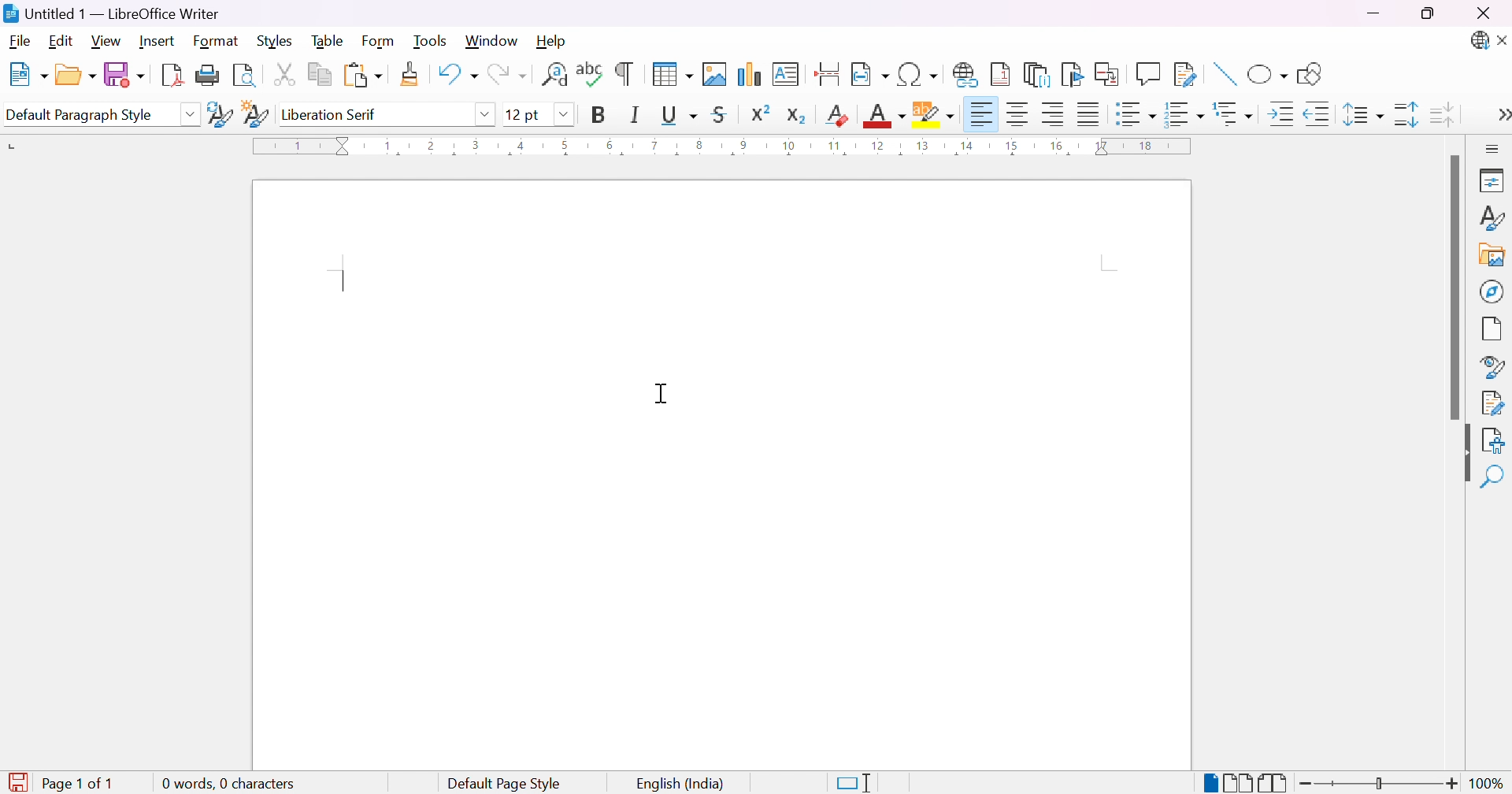  What do you see at coordinates (362, 76) in the screenshot?
I see `Paste` at bounding box center [362, 76].